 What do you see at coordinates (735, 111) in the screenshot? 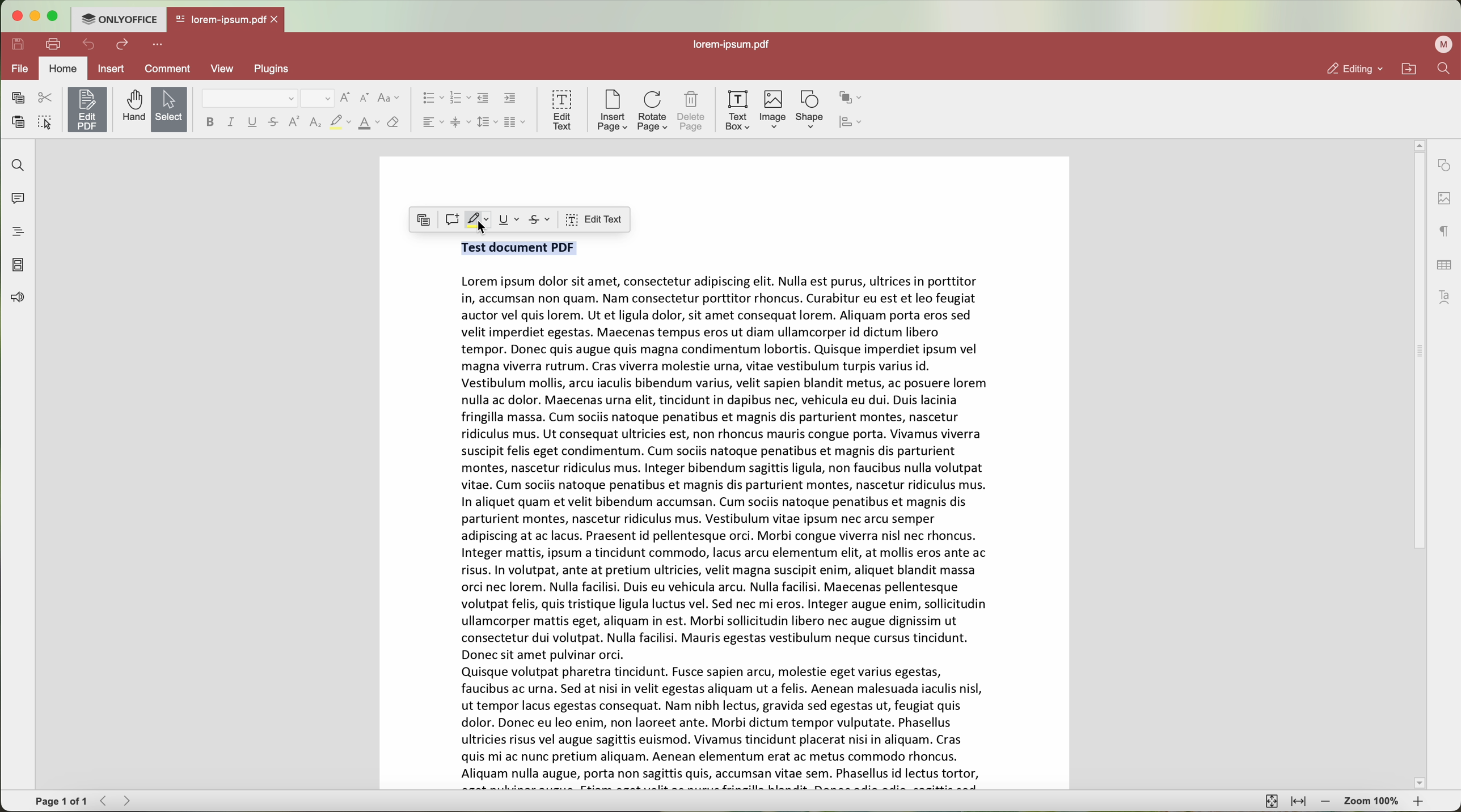
I see `text box` at bounding box center [735, 111].